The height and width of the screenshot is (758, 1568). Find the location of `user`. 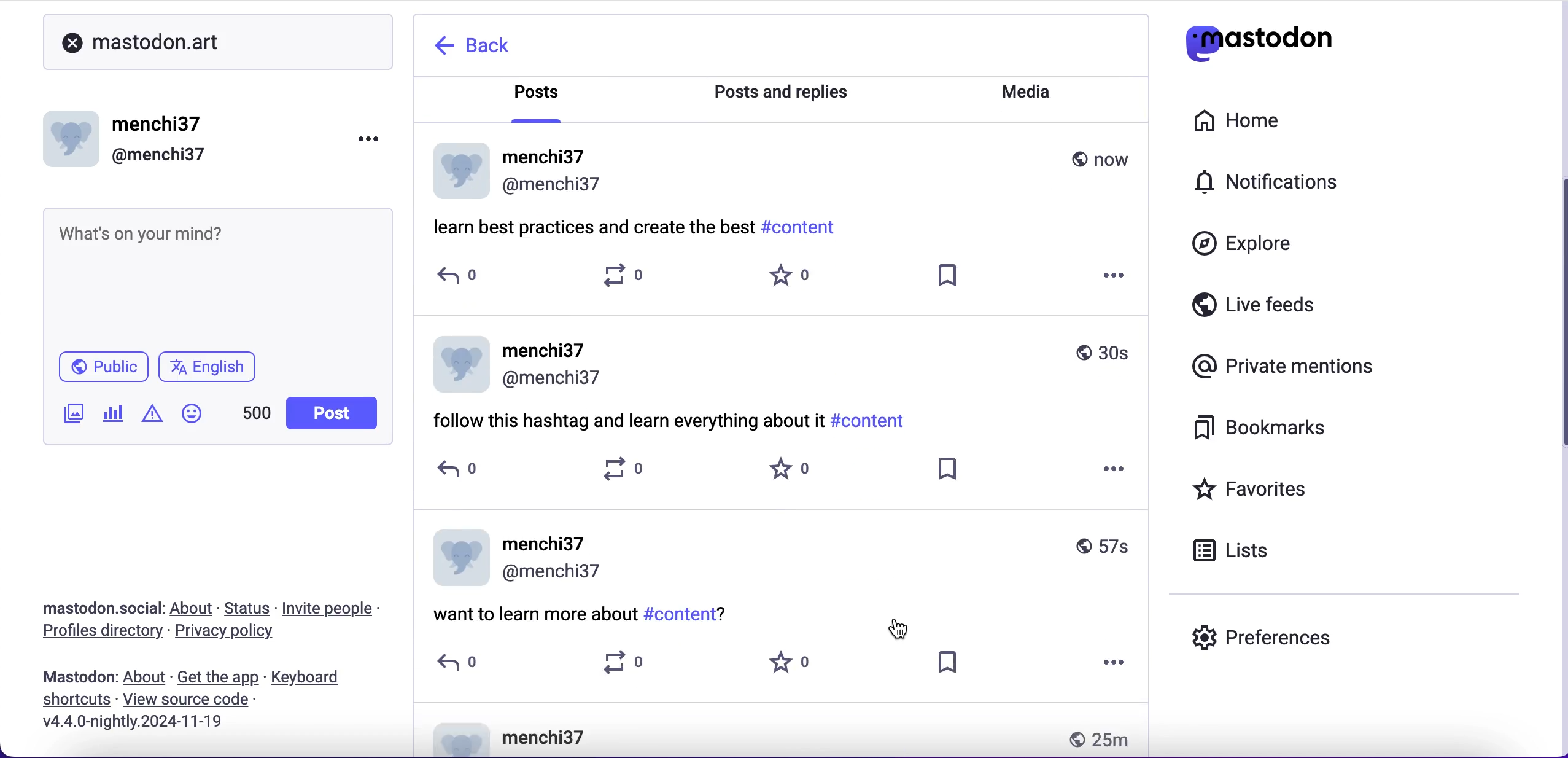

user is located at coordinates (554, 170).